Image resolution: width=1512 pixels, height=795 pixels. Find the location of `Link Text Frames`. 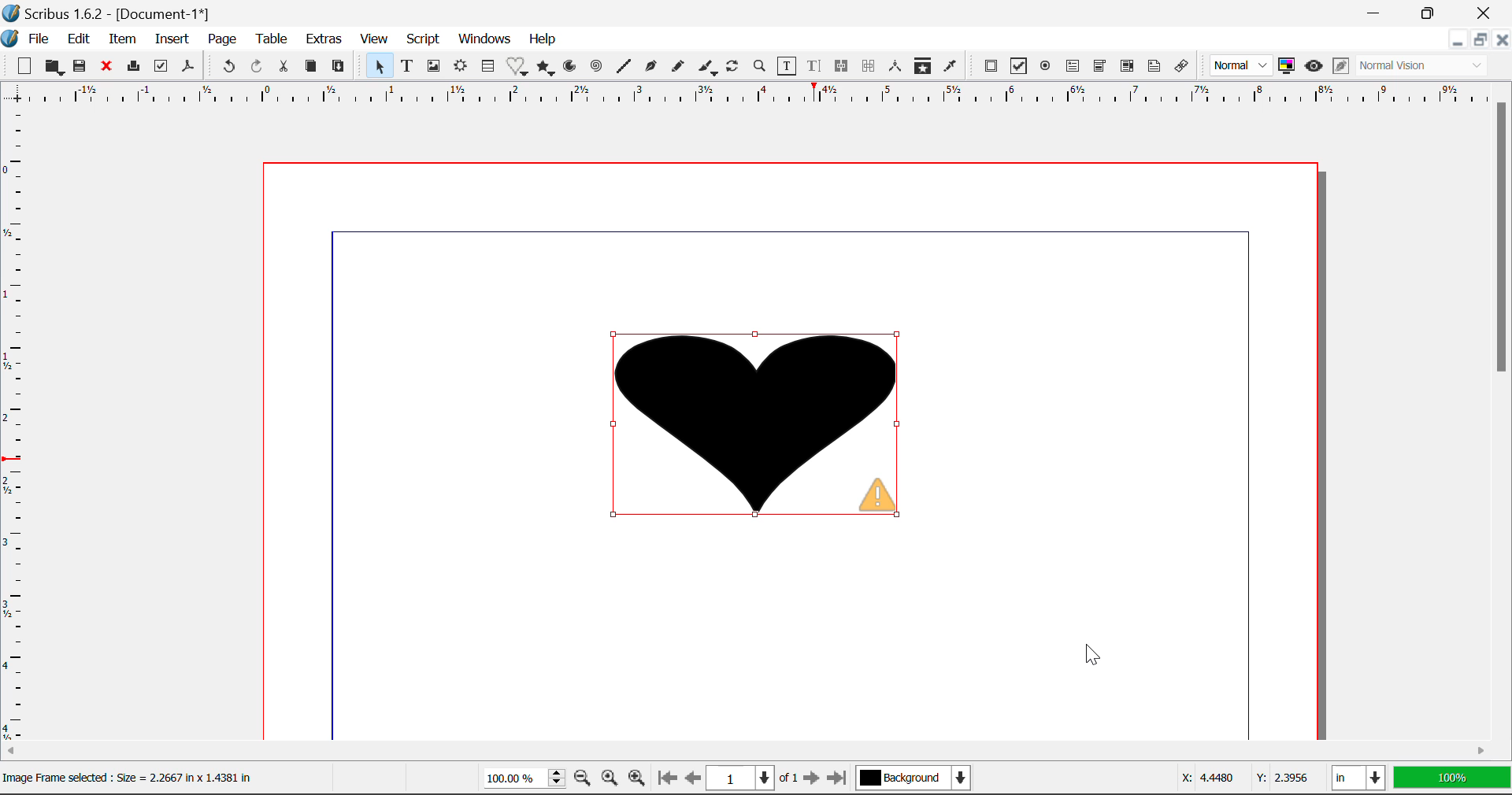

Link Text Frames is located at coordinates (844, 65).